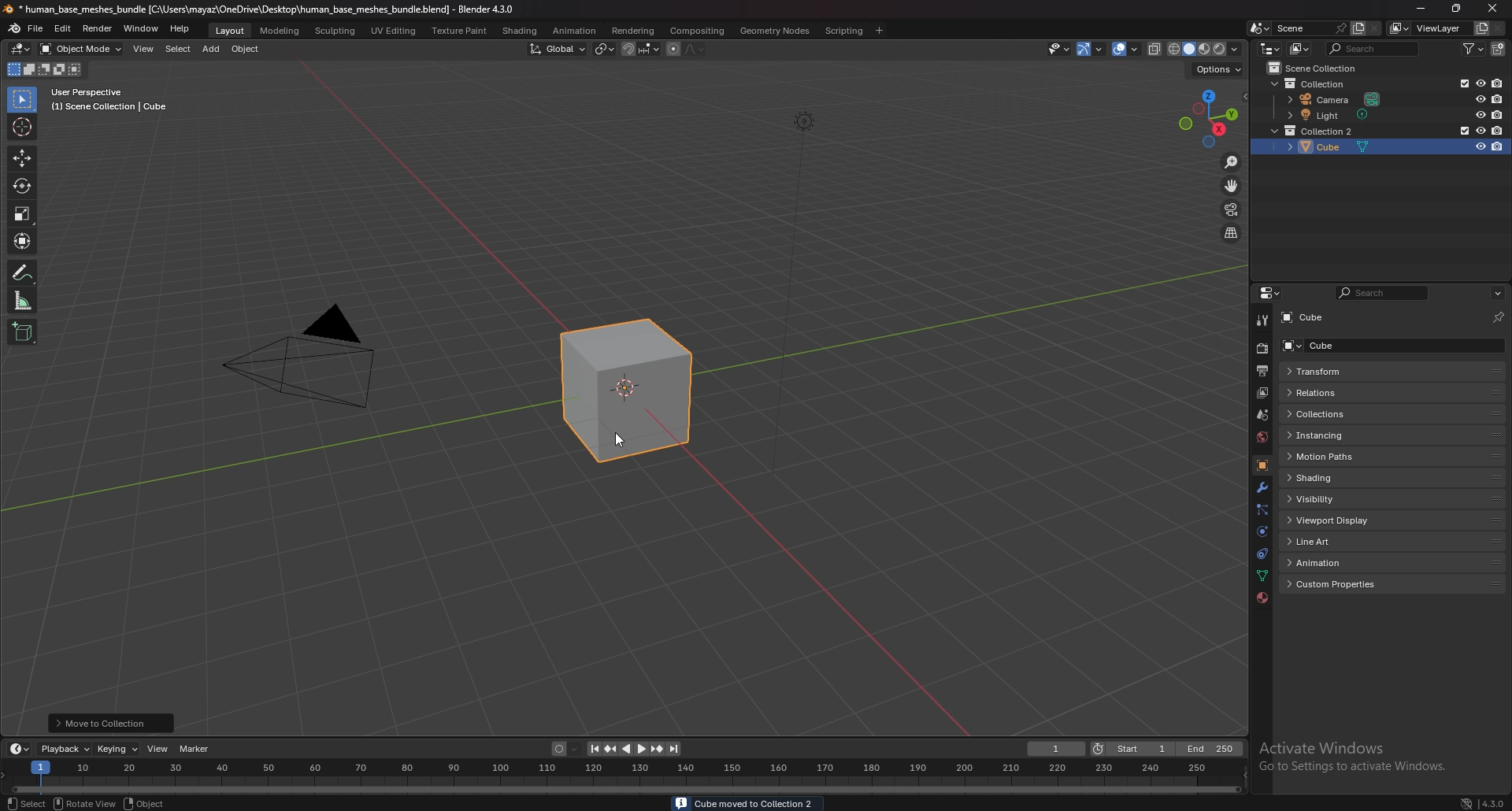 This screenshot has height=811, width=1512. What do you see at coordinates (1262, 372) in the screenshot?
I see `output` at bounding box center [1262, 372].